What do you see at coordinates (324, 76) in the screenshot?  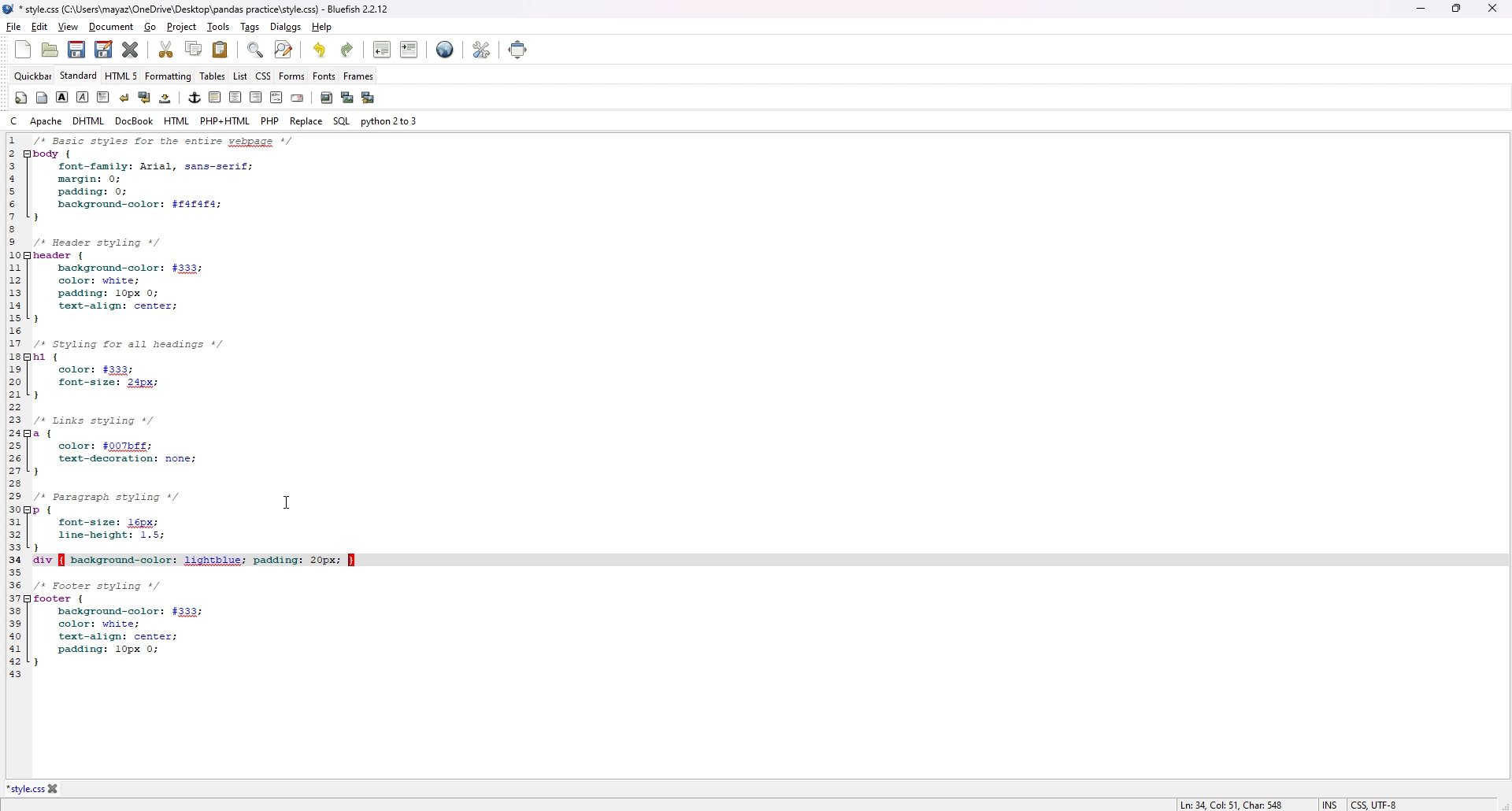 I see `fonts` at bounding box center [324, 76].